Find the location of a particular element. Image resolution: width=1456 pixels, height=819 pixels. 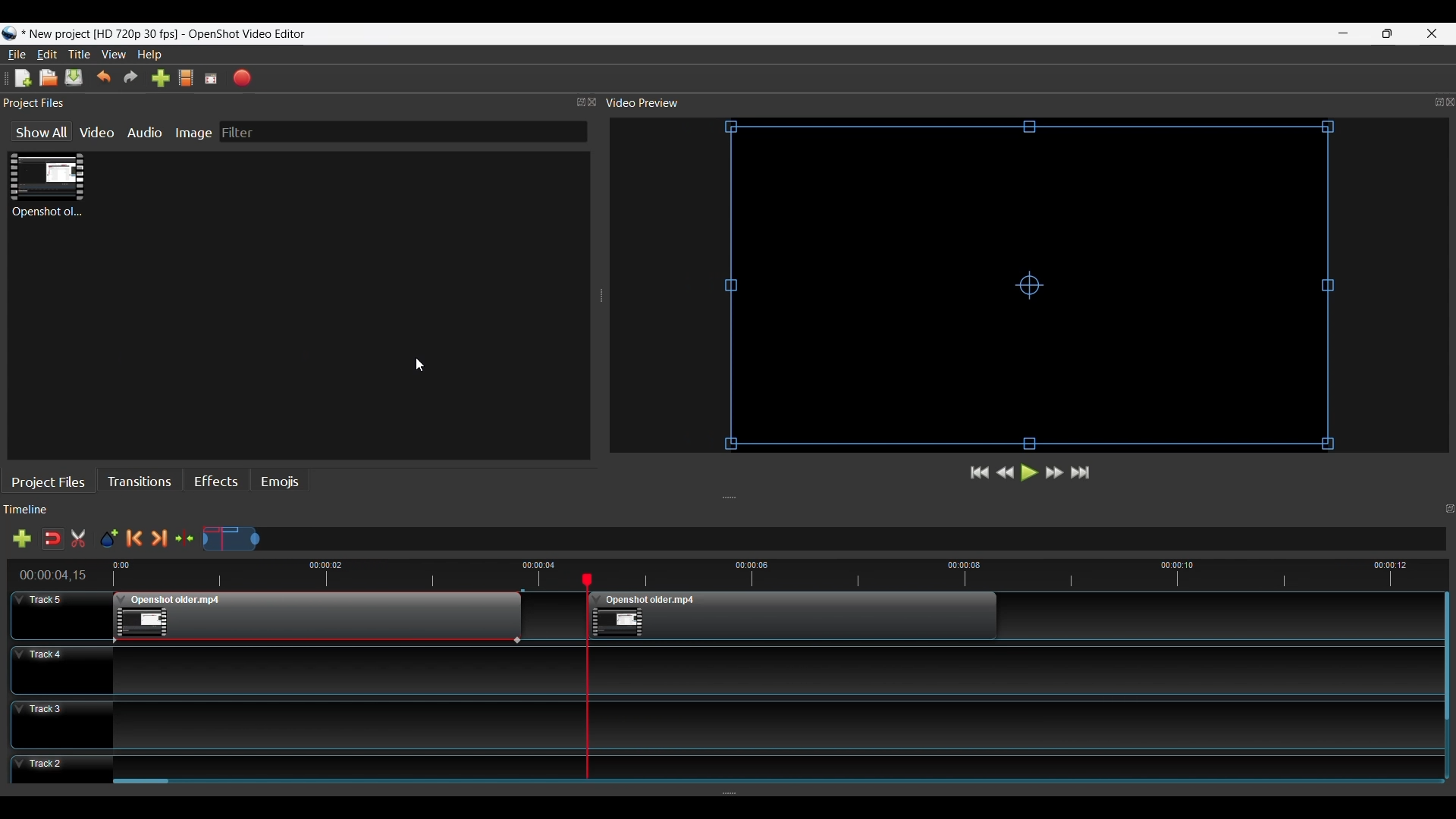

Jump to Forward is located at coordinates (980, 474).